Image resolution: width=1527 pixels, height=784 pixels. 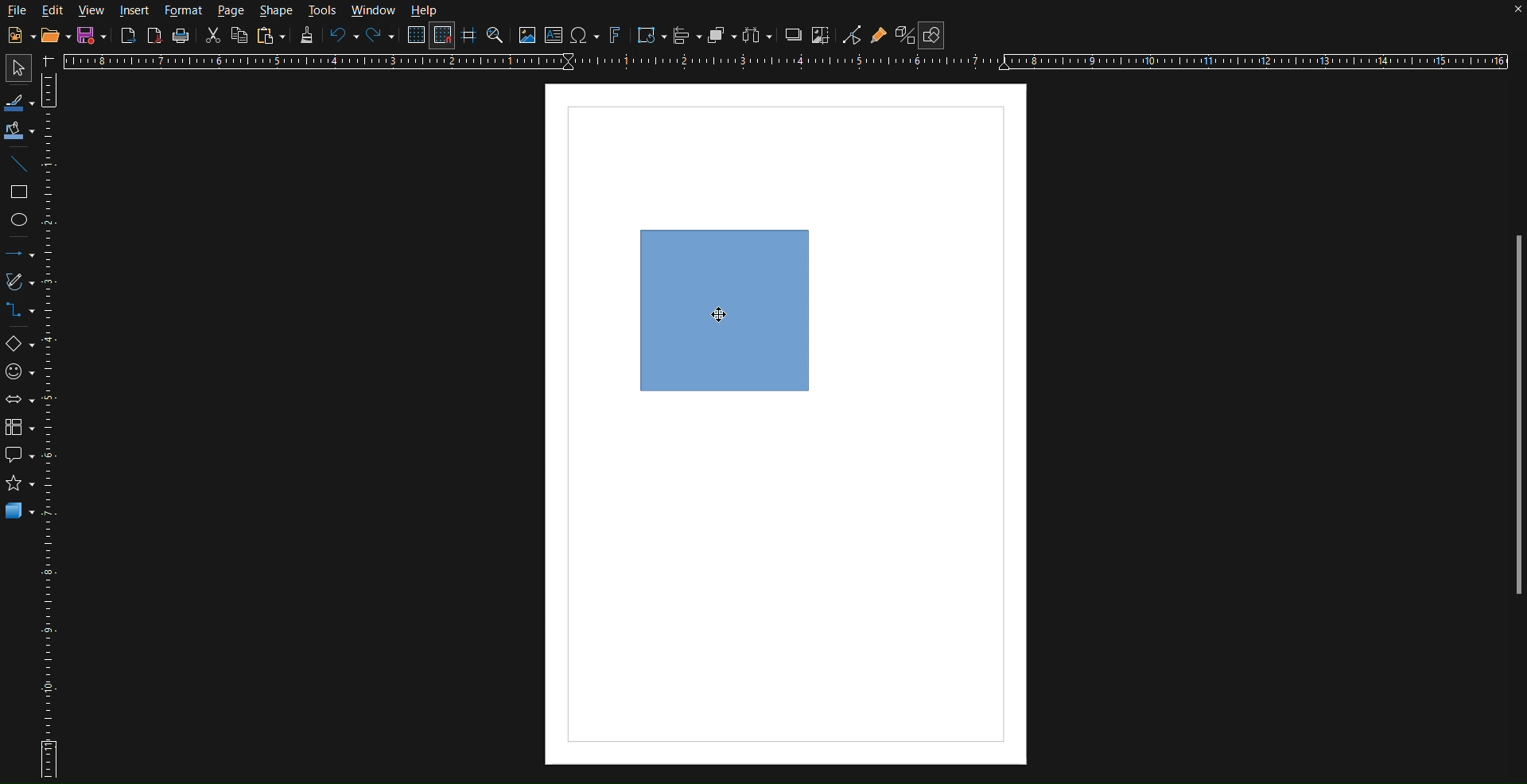 I want to click on Open, so click(x=51, y=35).